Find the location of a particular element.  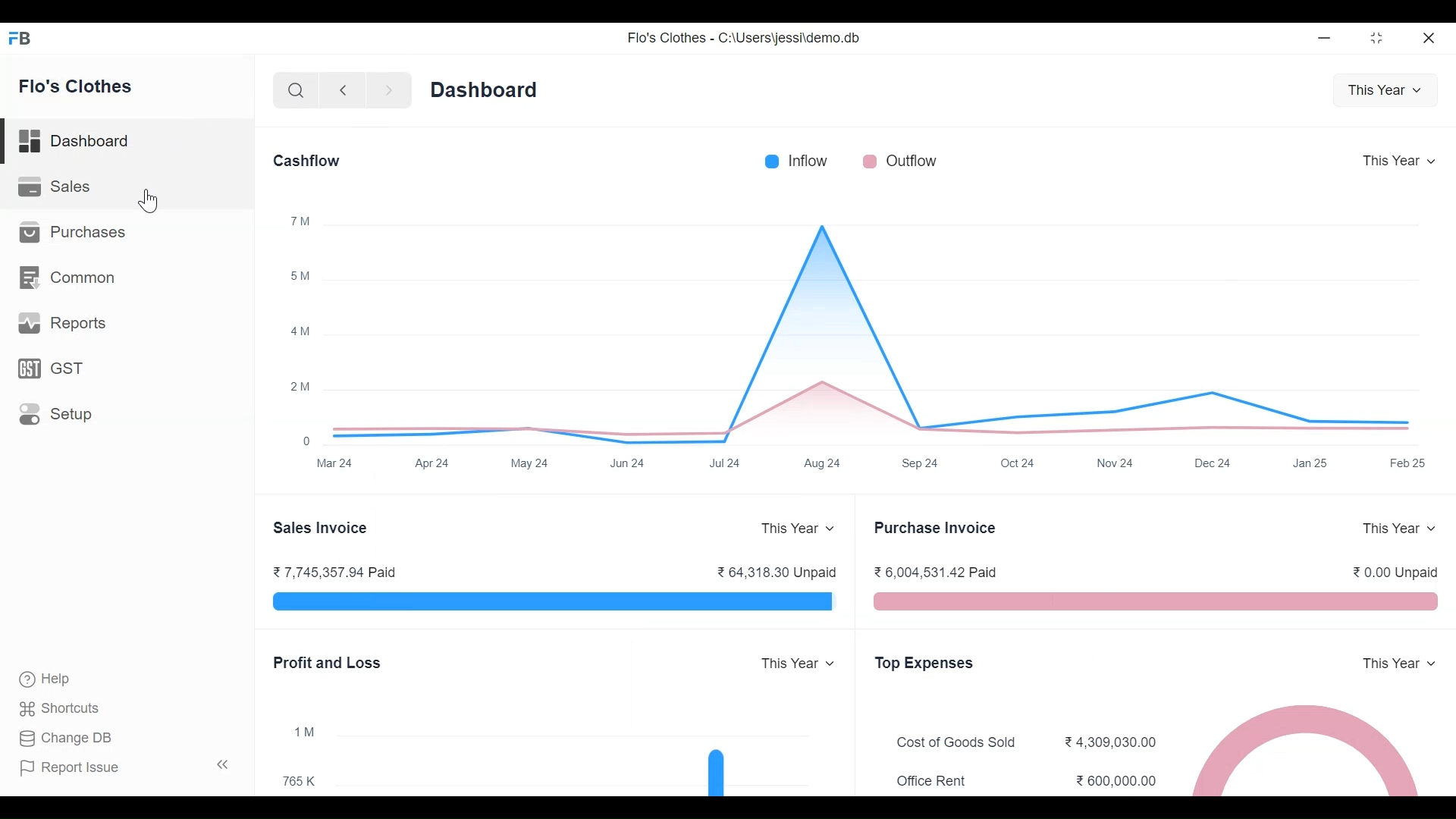

0.00 Unpaid is located at coordinates (1393, 573).